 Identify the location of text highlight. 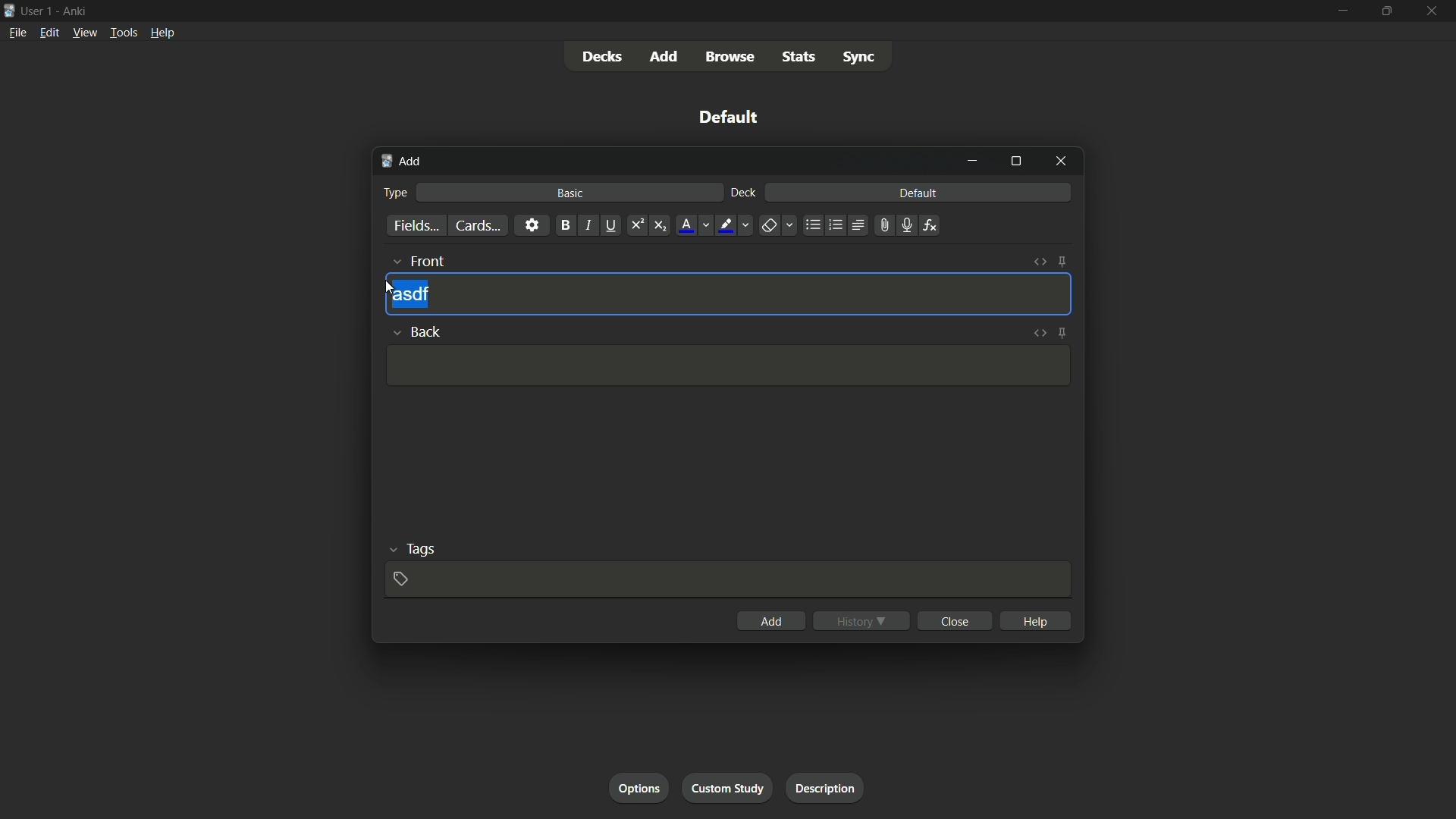
(733, 225).